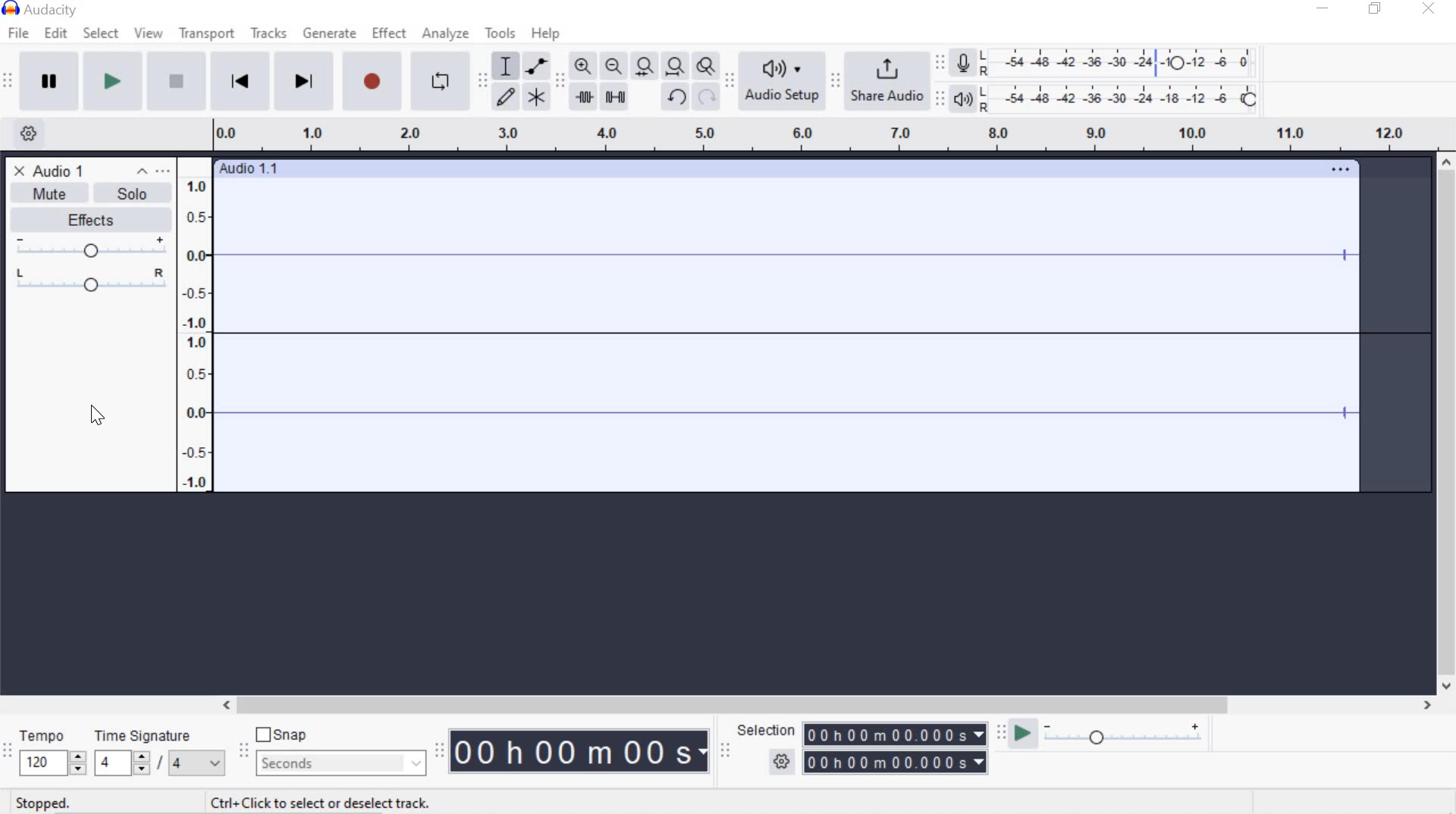  I want to click on Playback speed, so click(1128, 735).